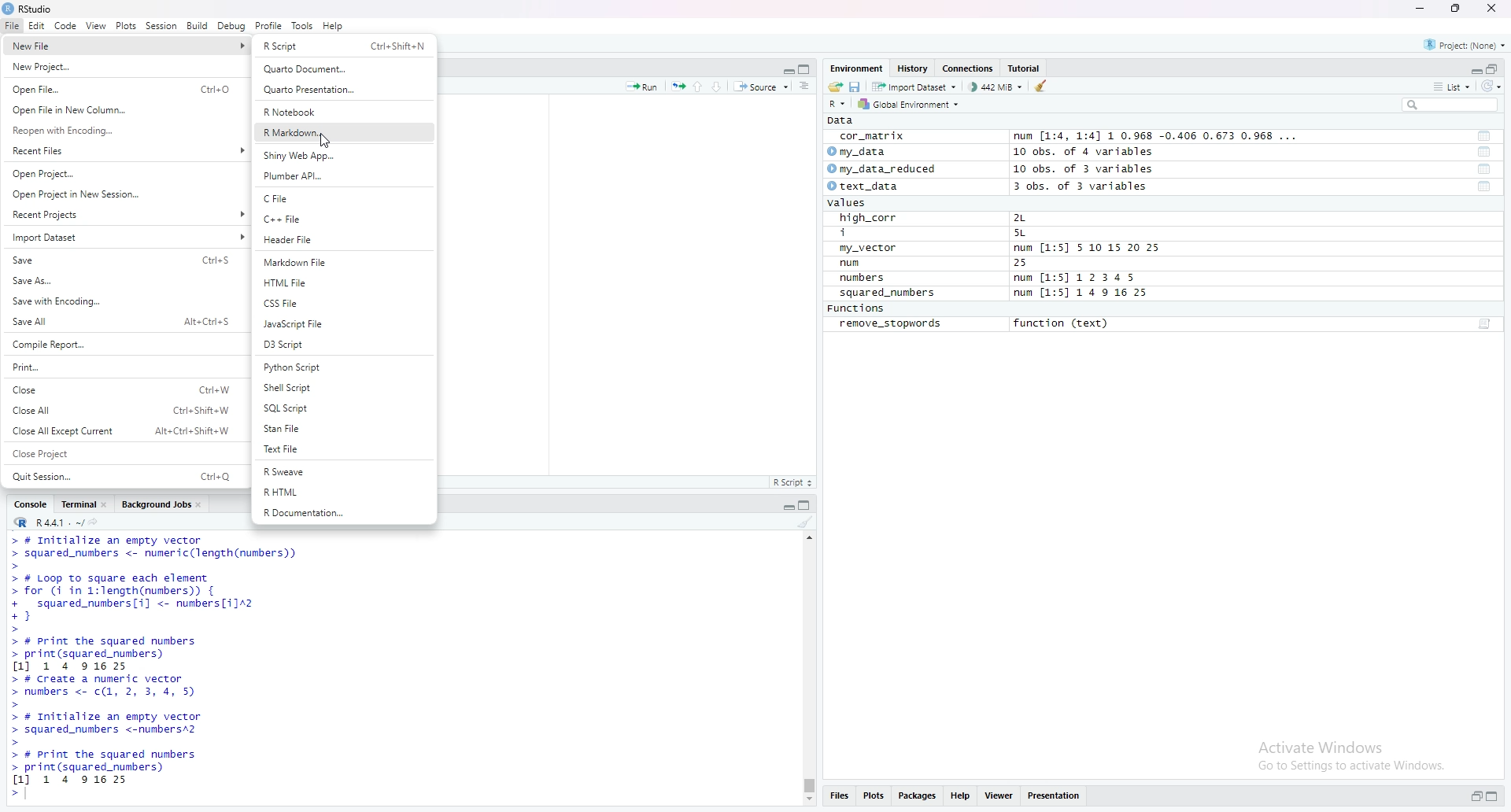 The height and width of the screenshot is (812, 1511). I want to click on view, so click(94, 25).